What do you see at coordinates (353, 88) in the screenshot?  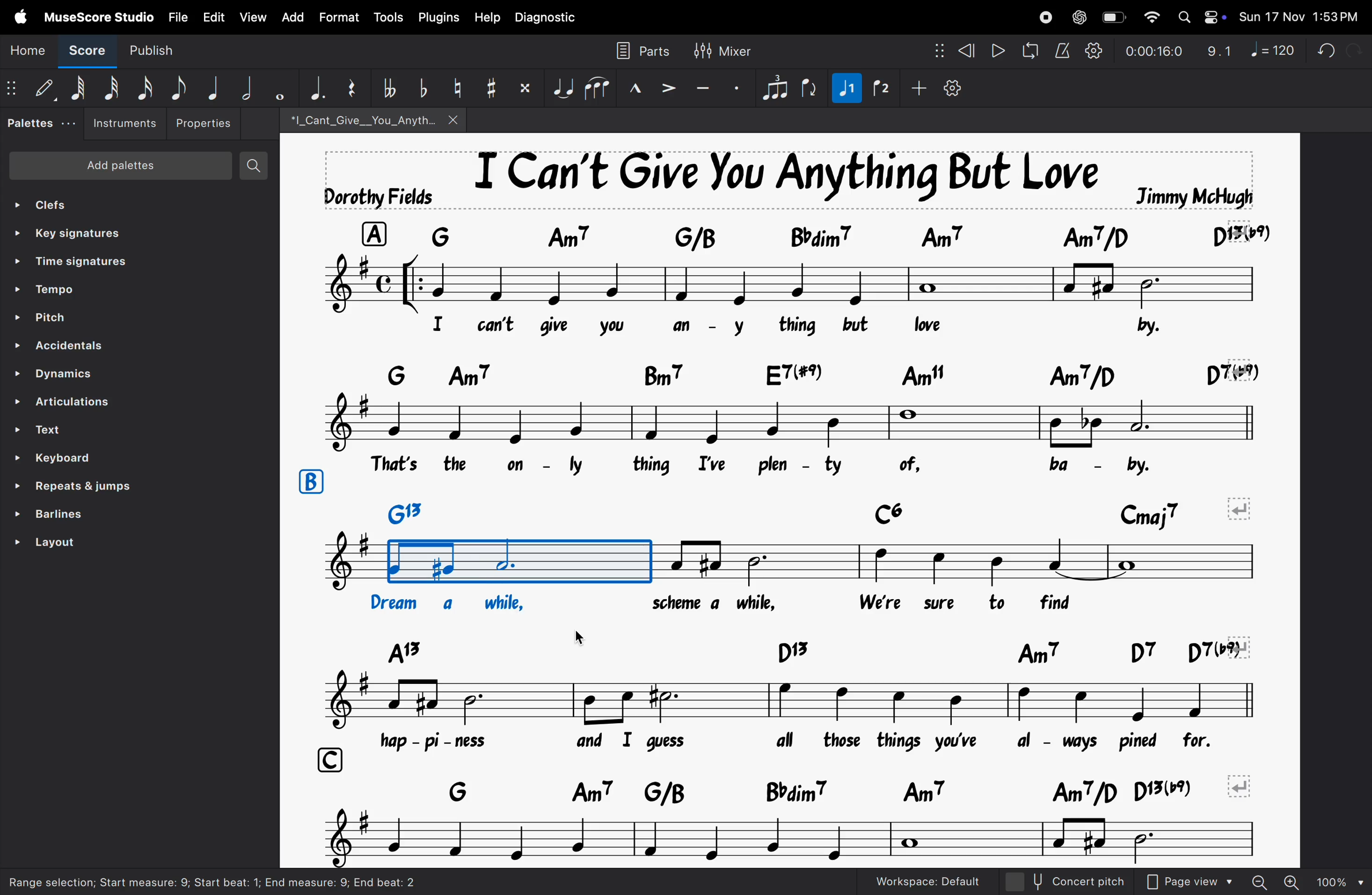 I see `reser ` at bounding box center [353, 88].